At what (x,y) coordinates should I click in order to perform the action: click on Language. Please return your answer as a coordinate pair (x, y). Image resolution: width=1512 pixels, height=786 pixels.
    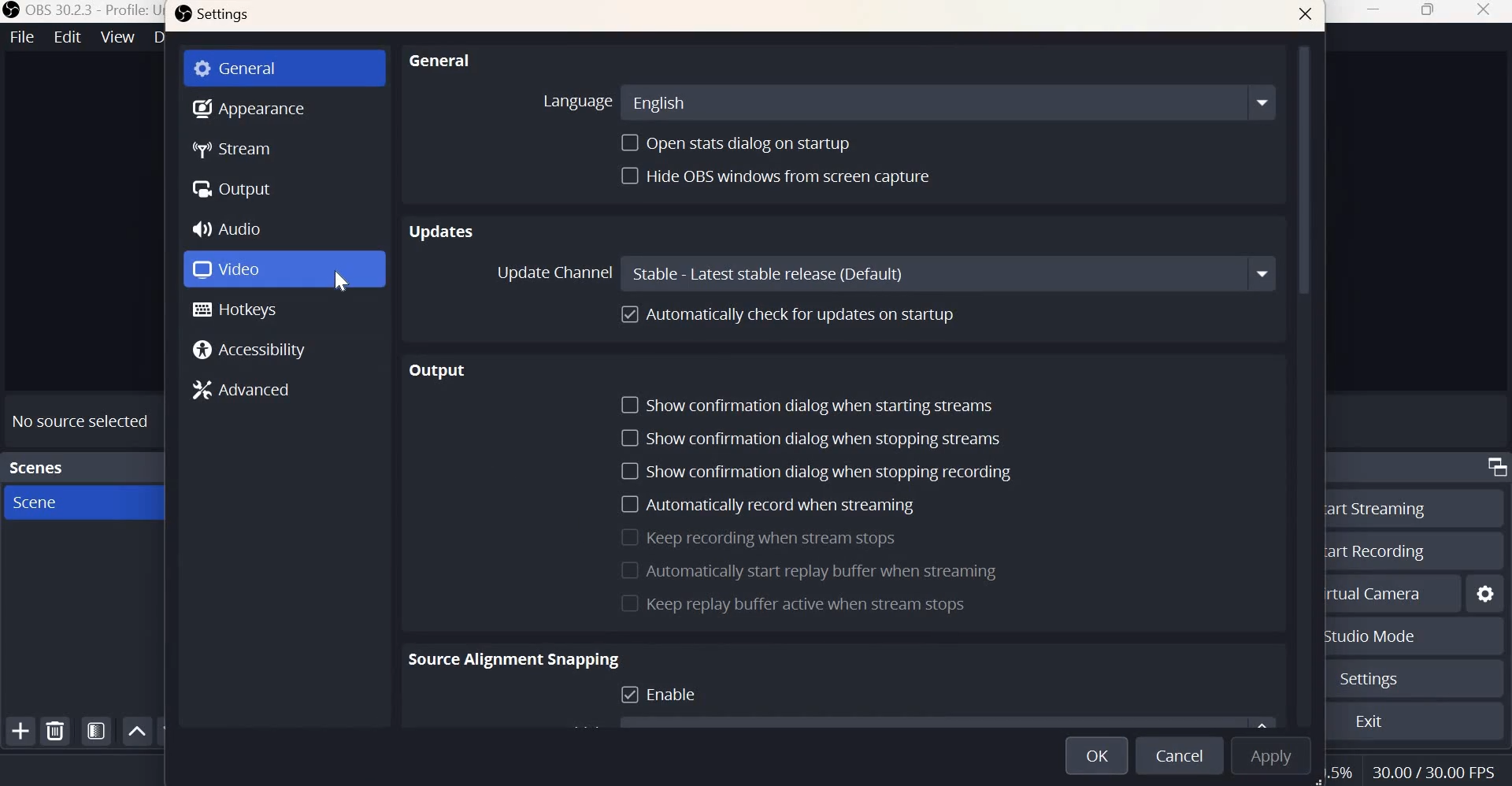
    Looking at the image, I should click on (579, 102).